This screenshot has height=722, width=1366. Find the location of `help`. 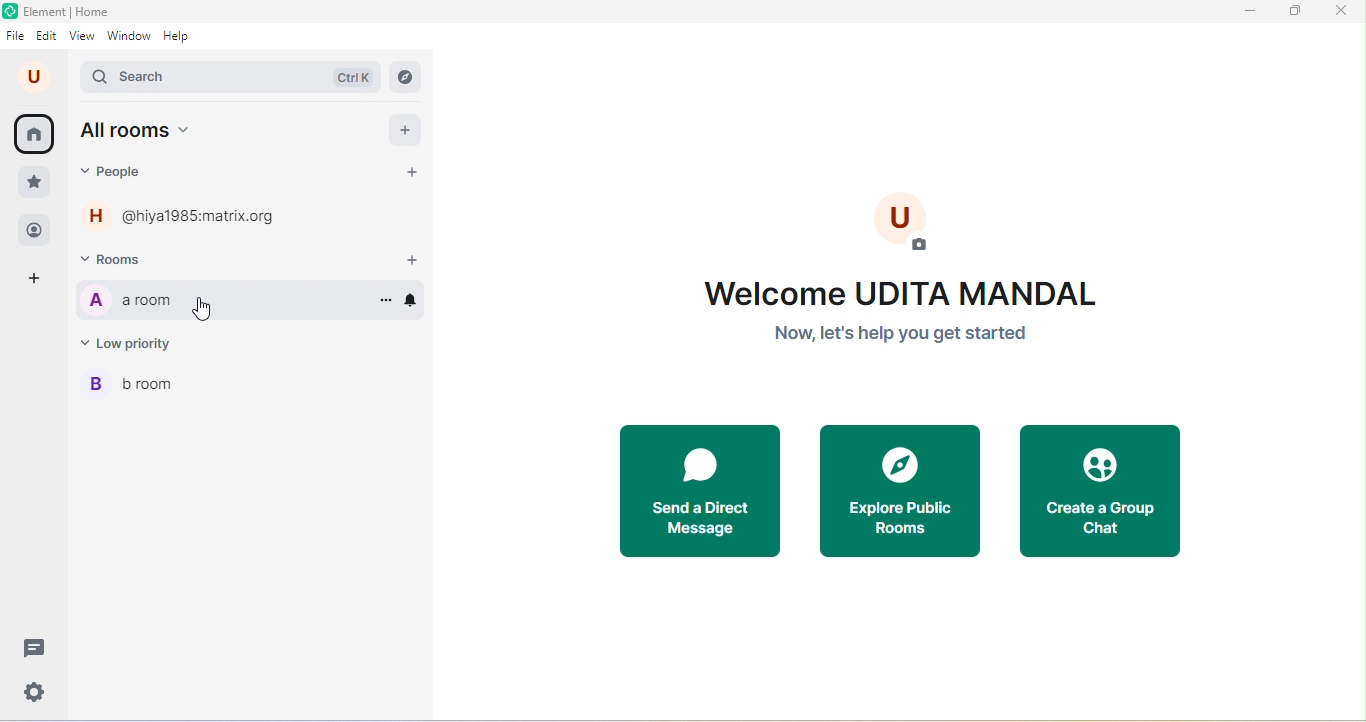

help is located at coordinates (177, 37).